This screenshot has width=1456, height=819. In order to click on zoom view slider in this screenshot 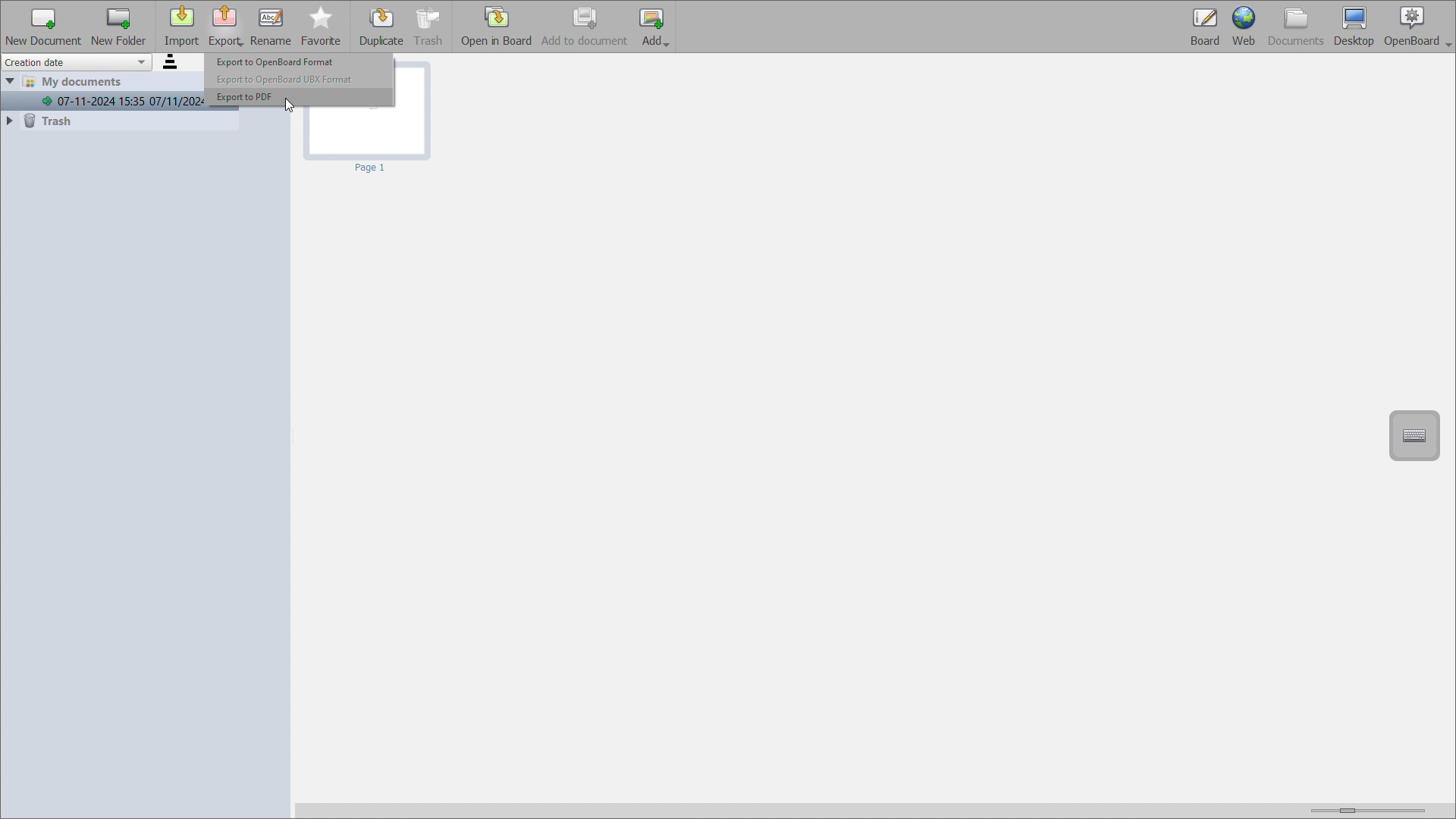, I will do `click(1364, 808)`.